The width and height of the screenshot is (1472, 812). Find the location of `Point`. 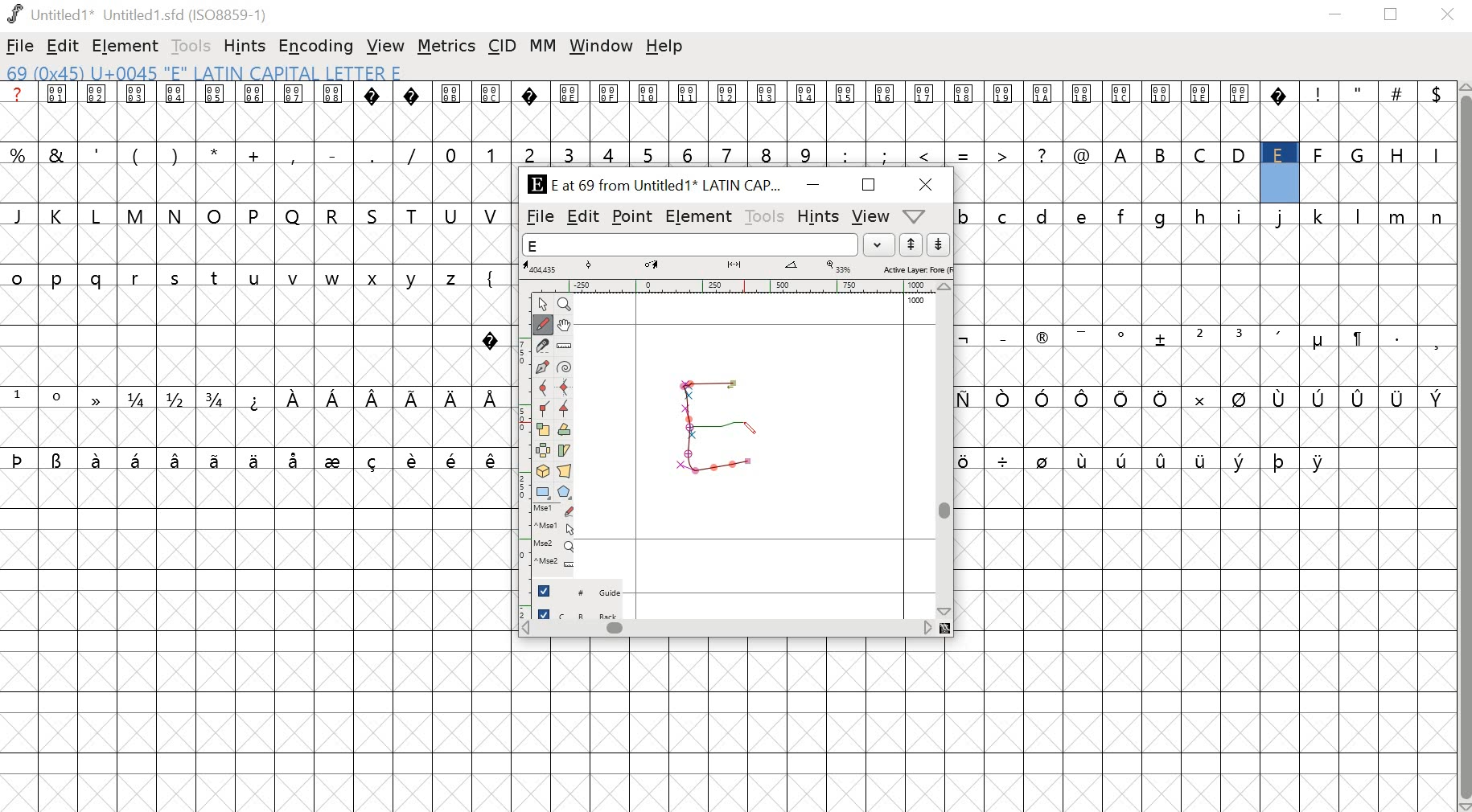

Point is located at coordinates (542, 305).